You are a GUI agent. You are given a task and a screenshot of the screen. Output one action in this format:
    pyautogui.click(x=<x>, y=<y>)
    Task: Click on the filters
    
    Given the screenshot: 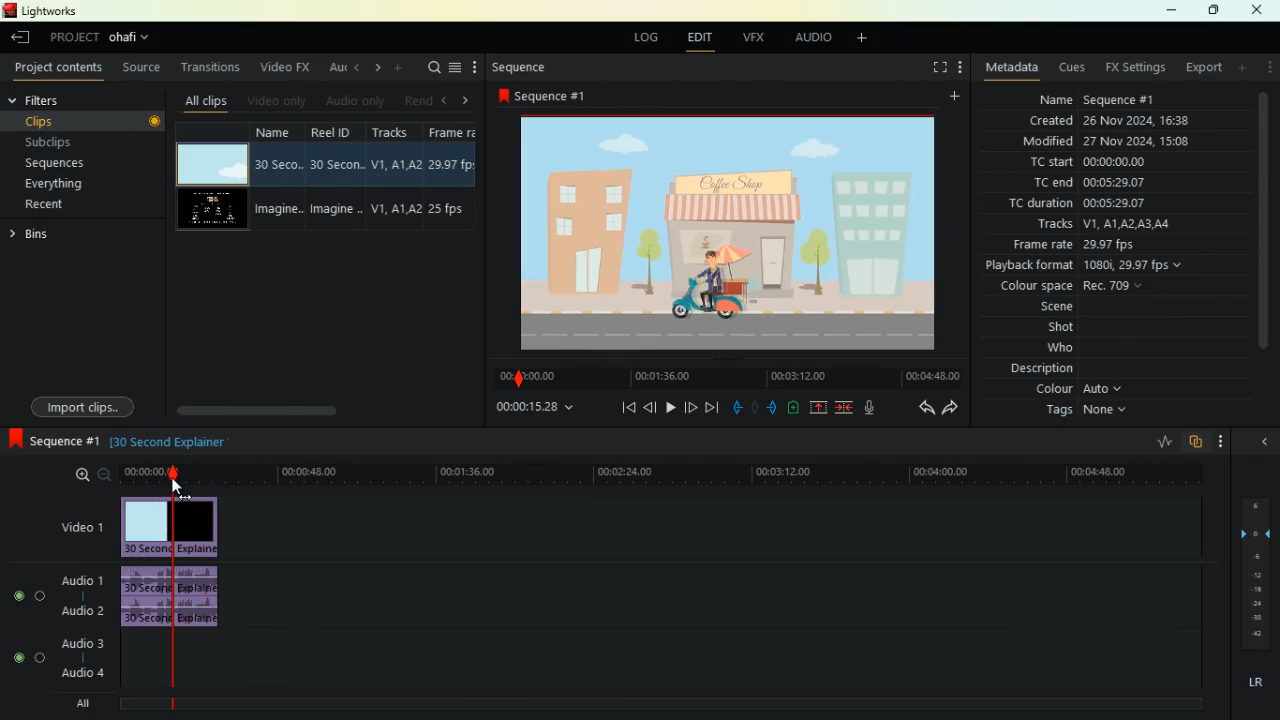 What is the action you would take?
    pyautogui.click(x=59, y=101)
    